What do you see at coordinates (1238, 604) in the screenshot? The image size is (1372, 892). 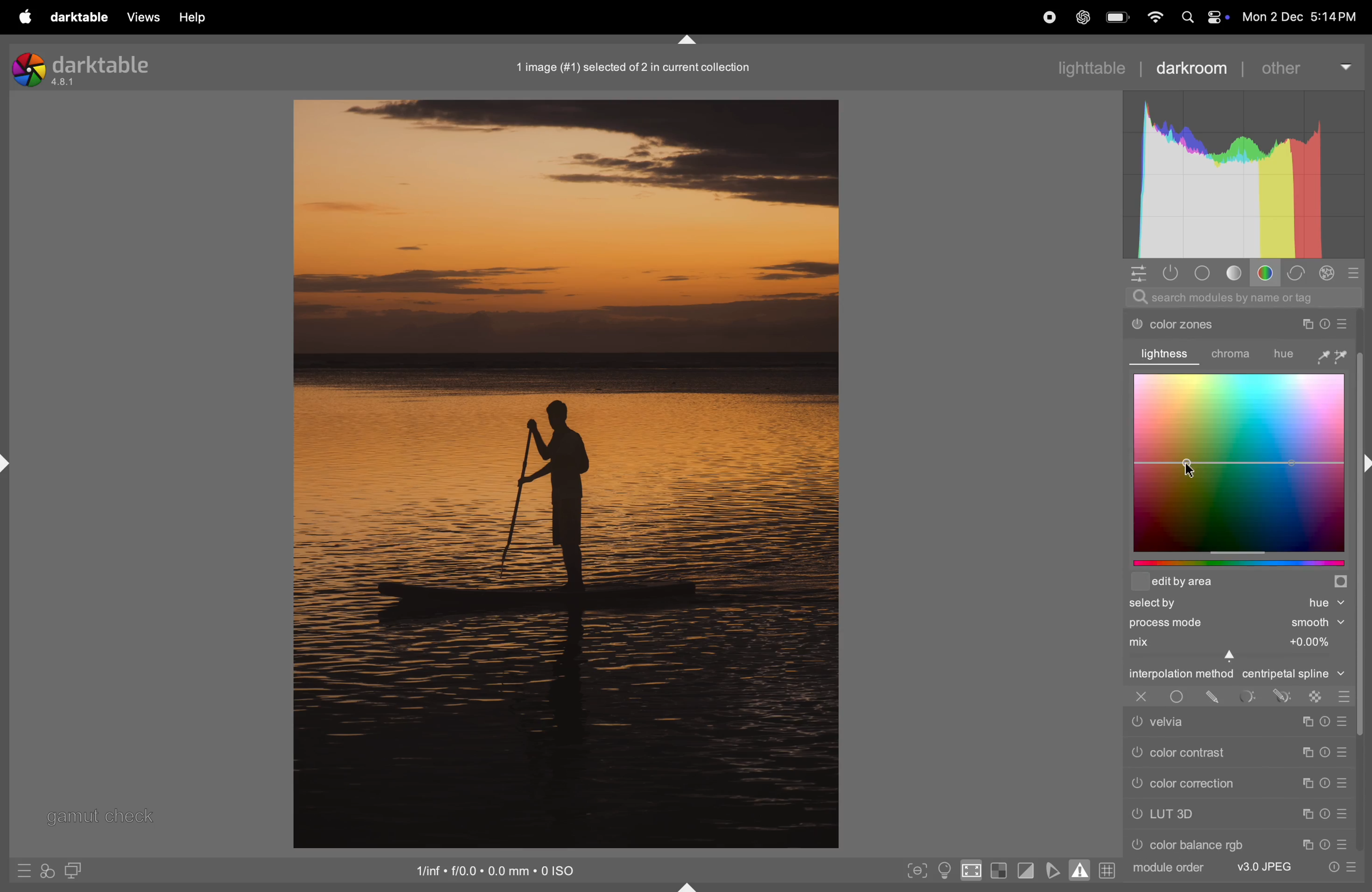 I see `selected hue` at bounding box center [1238, 604].